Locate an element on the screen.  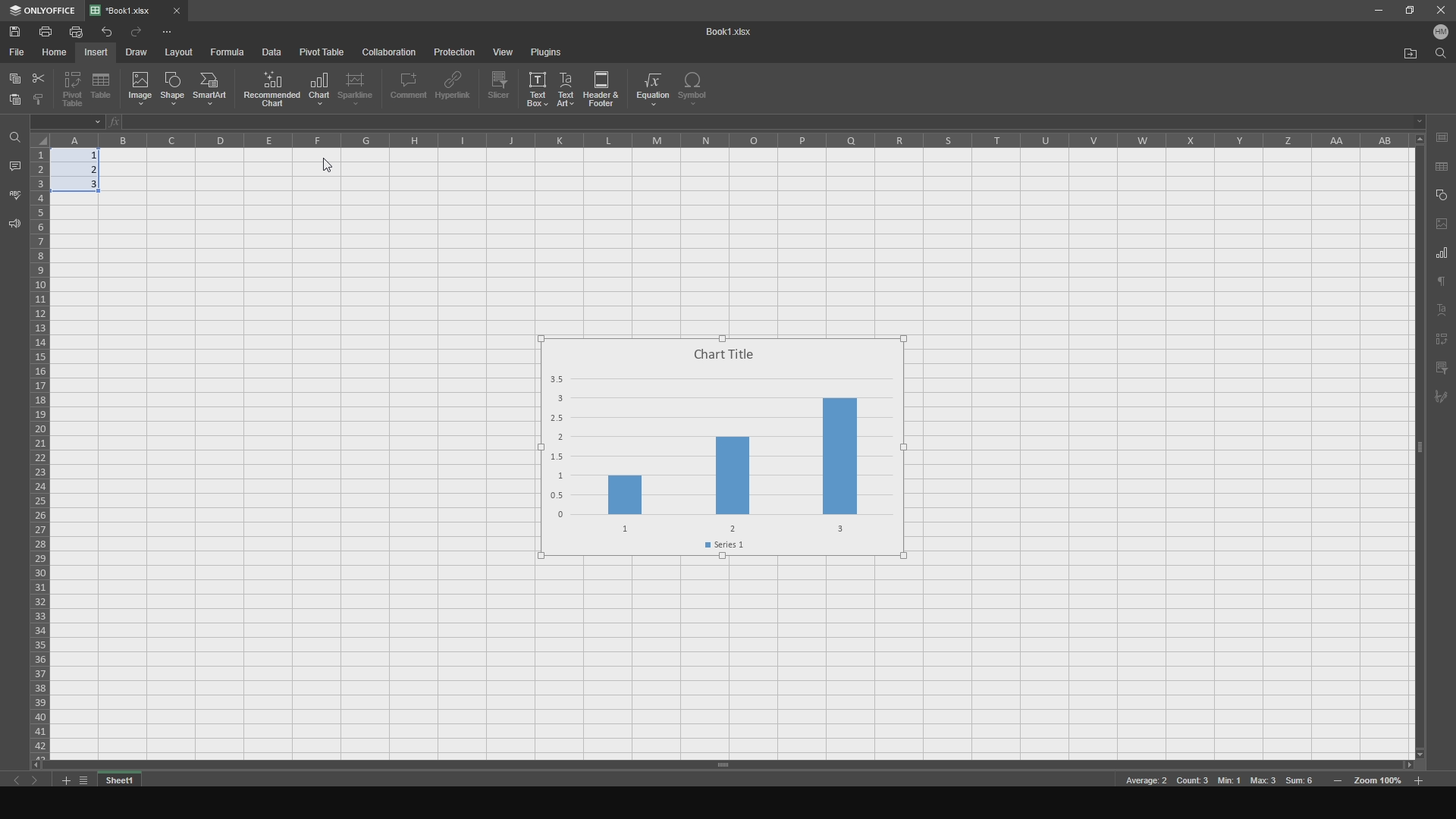
previous sheet is located at coordinates (14, 781).